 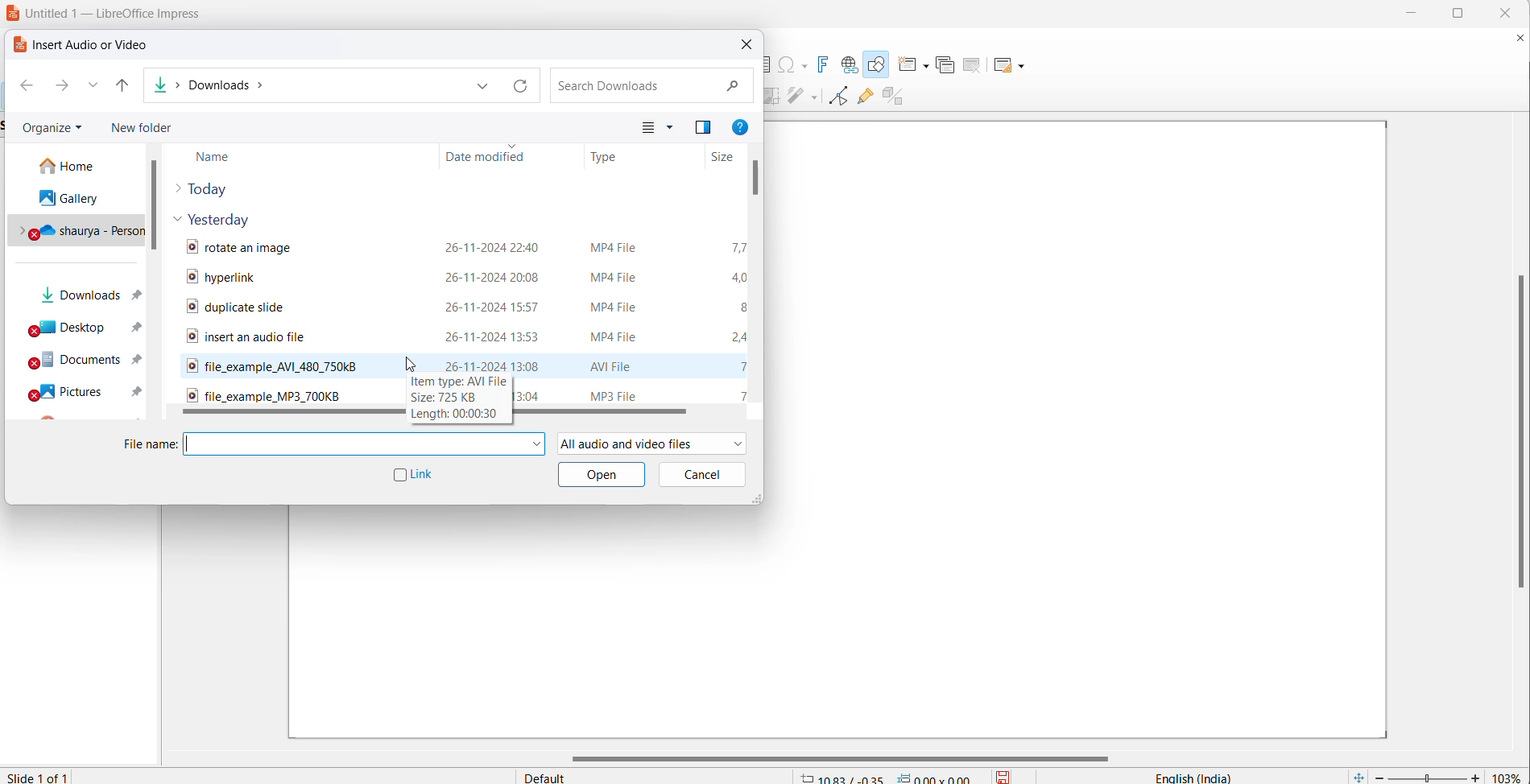 I want to click on path dropdown button, so click(x=483, y=85).